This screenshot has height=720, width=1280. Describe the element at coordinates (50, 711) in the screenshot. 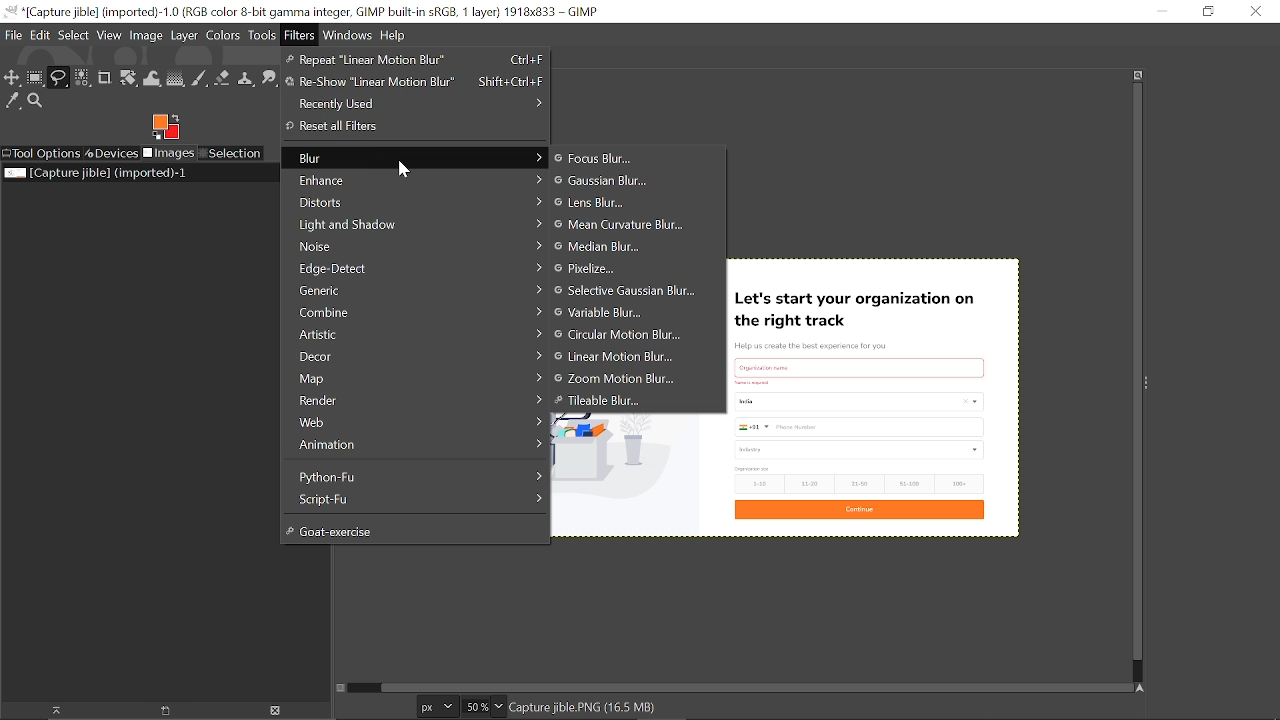

I see `Raise dispaly` at that location.